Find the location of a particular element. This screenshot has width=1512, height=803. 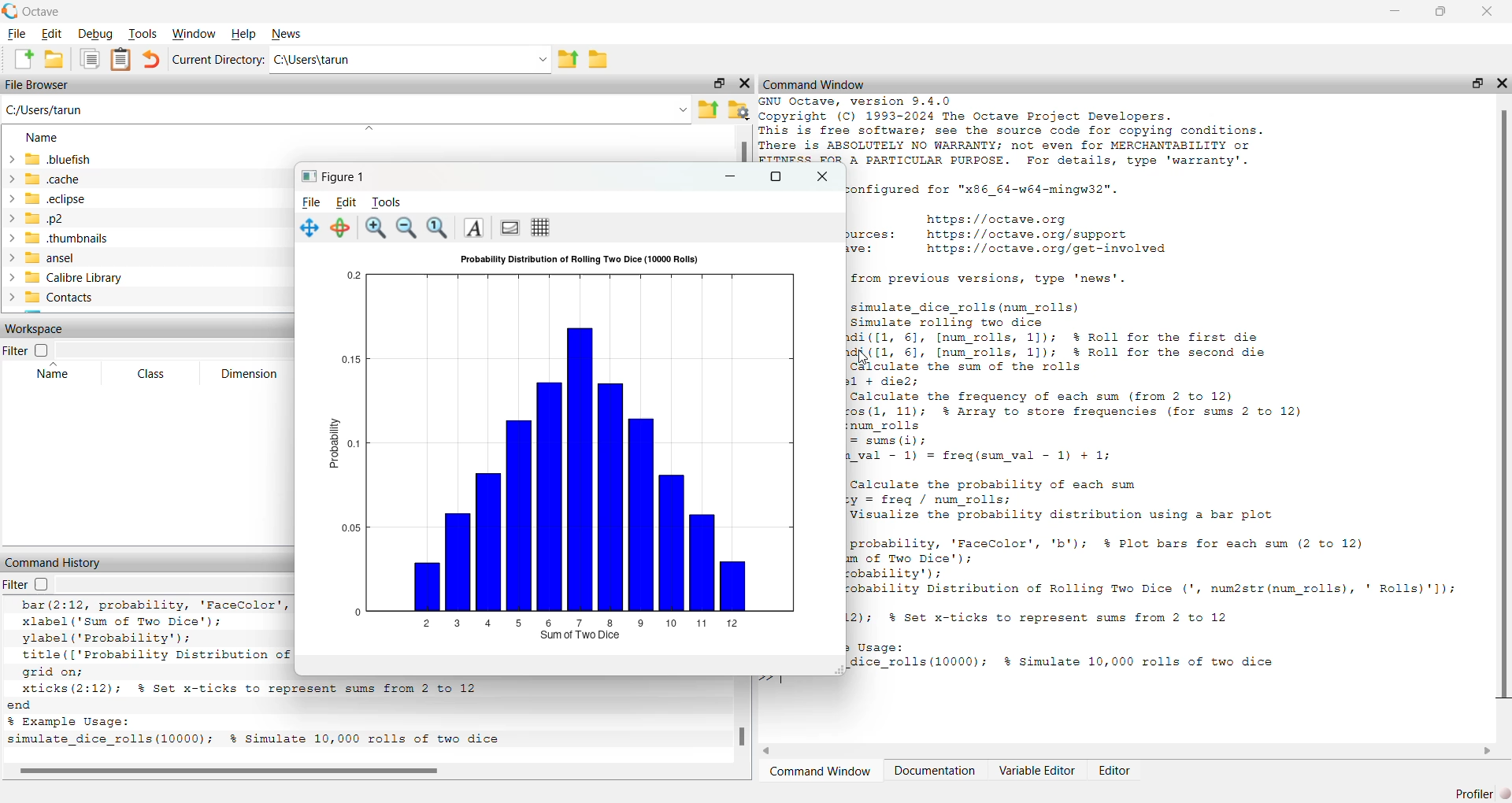

X Command Window is located at coordinates (831, 81).